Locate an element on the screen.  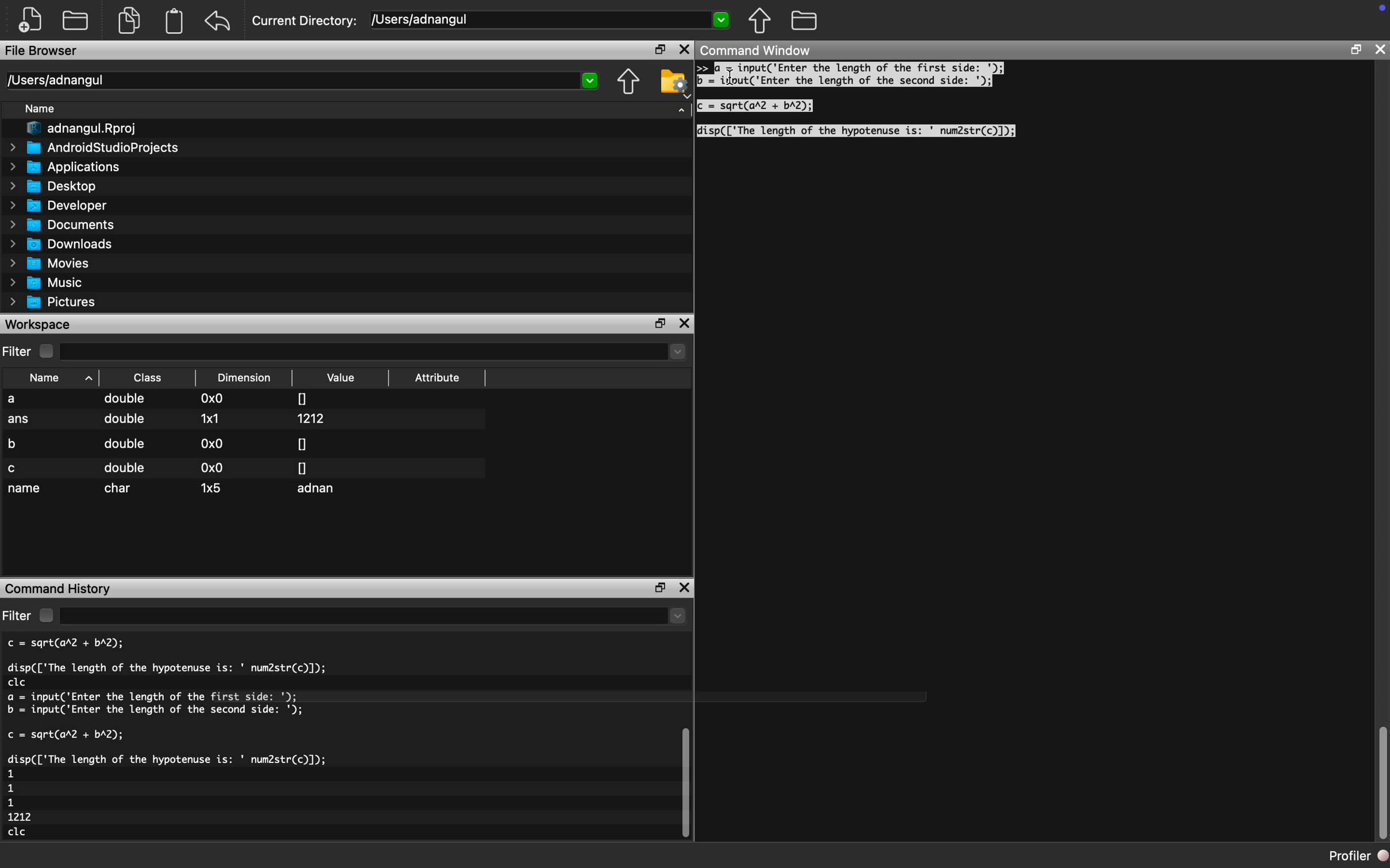
 Applications is located at coordinates (70, 166).